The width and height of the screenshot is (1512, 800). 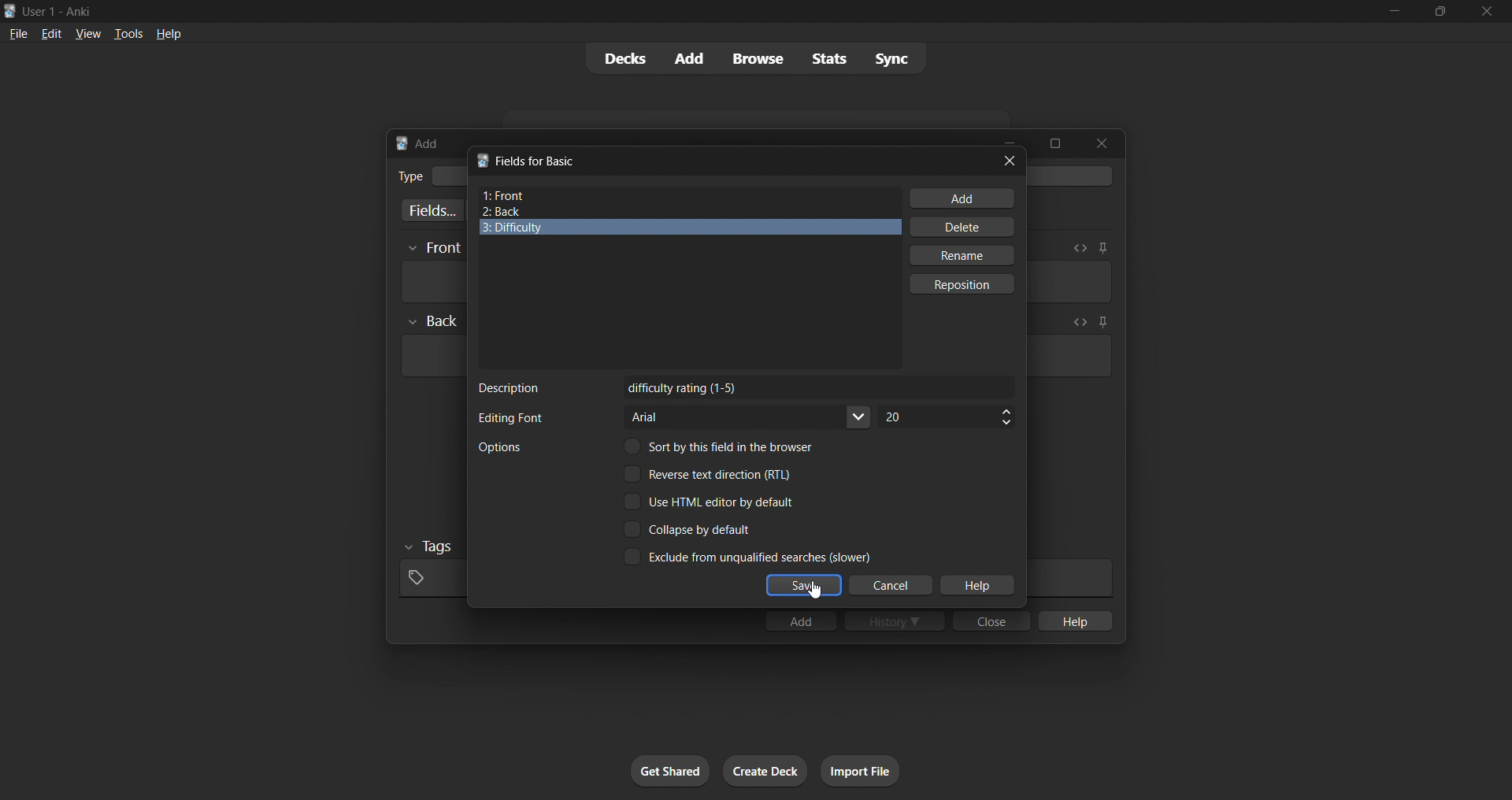 I want to click on help, so click(x=1073, y=620).